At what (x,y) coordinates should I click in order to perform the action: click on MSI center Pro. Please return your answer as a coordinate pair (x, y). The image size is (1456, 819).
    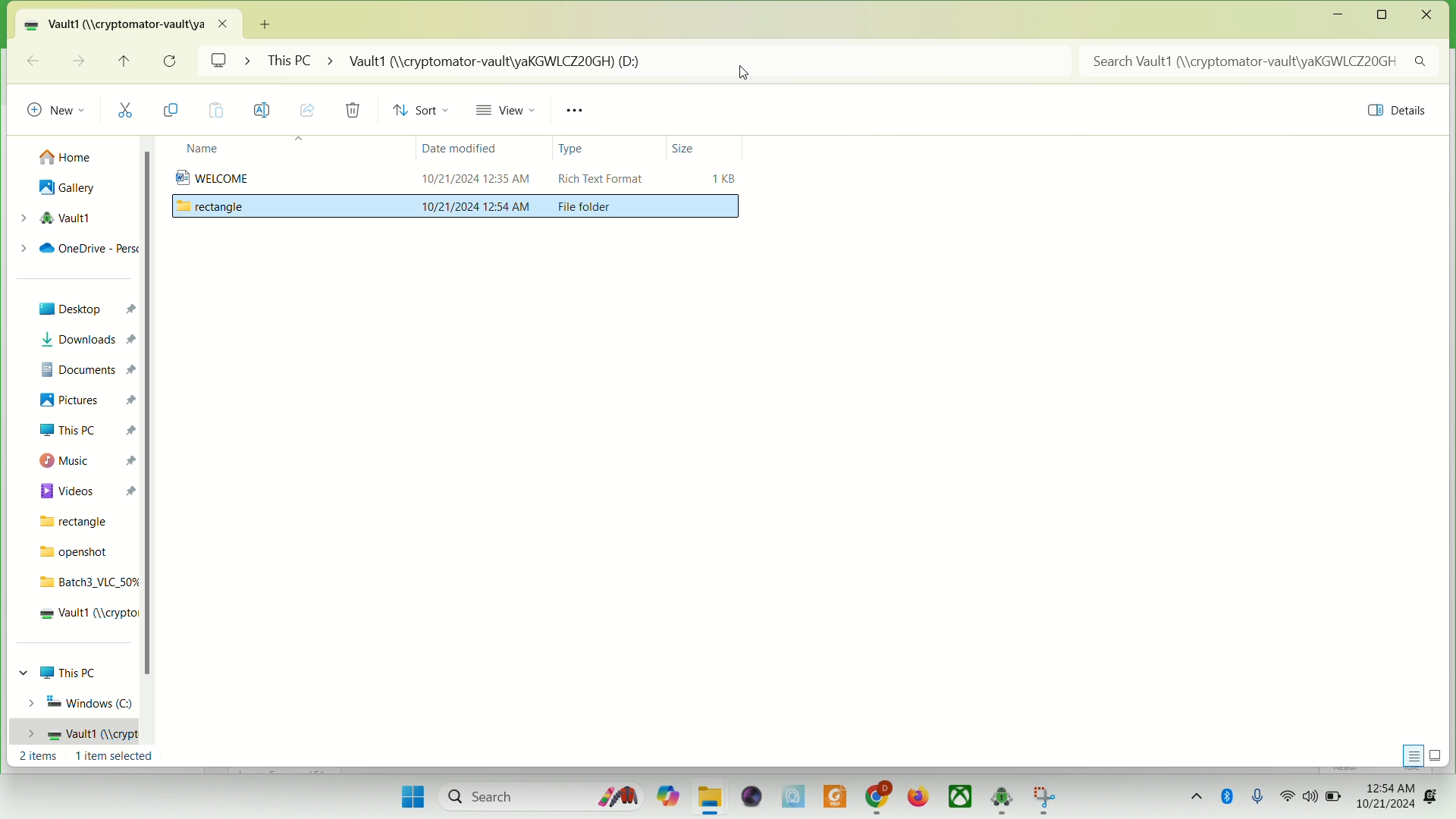
    Looking at the image, I should click on (792, 796).